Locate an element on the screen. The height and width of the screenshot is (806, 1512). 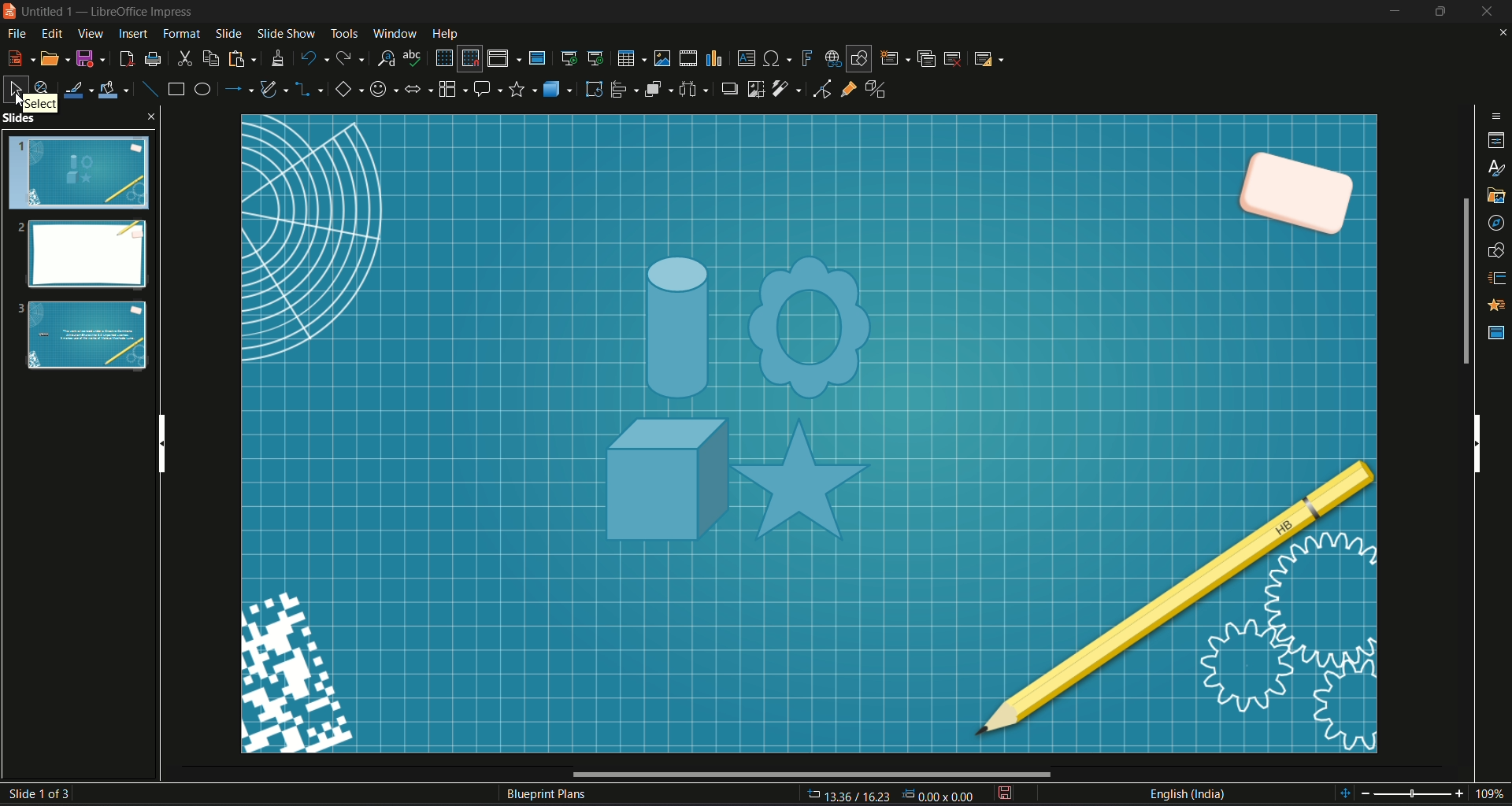
snap to grid is located at coordinates (469, 59).